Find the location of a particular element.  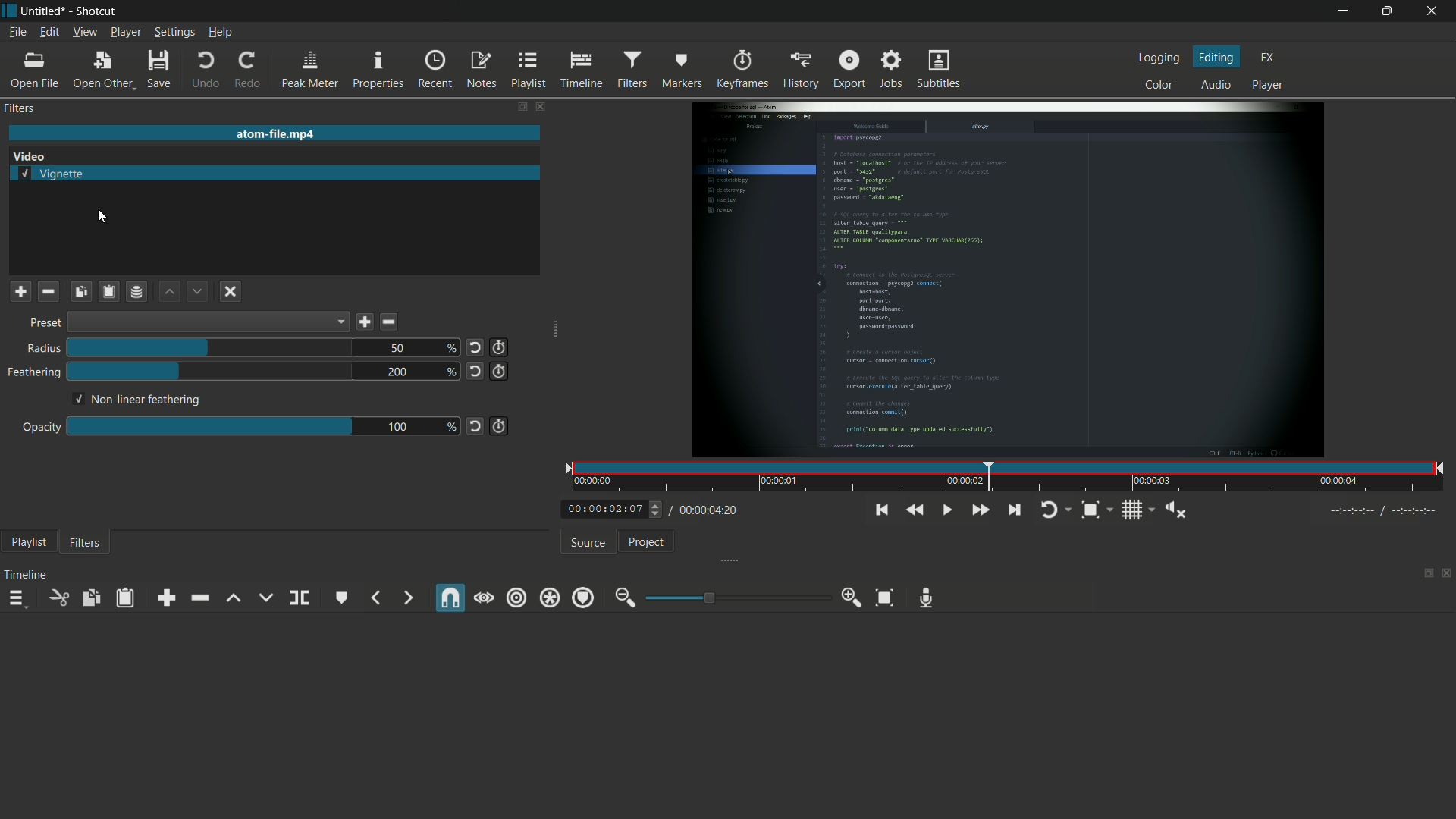

preset is located at coordinates (45, 324).